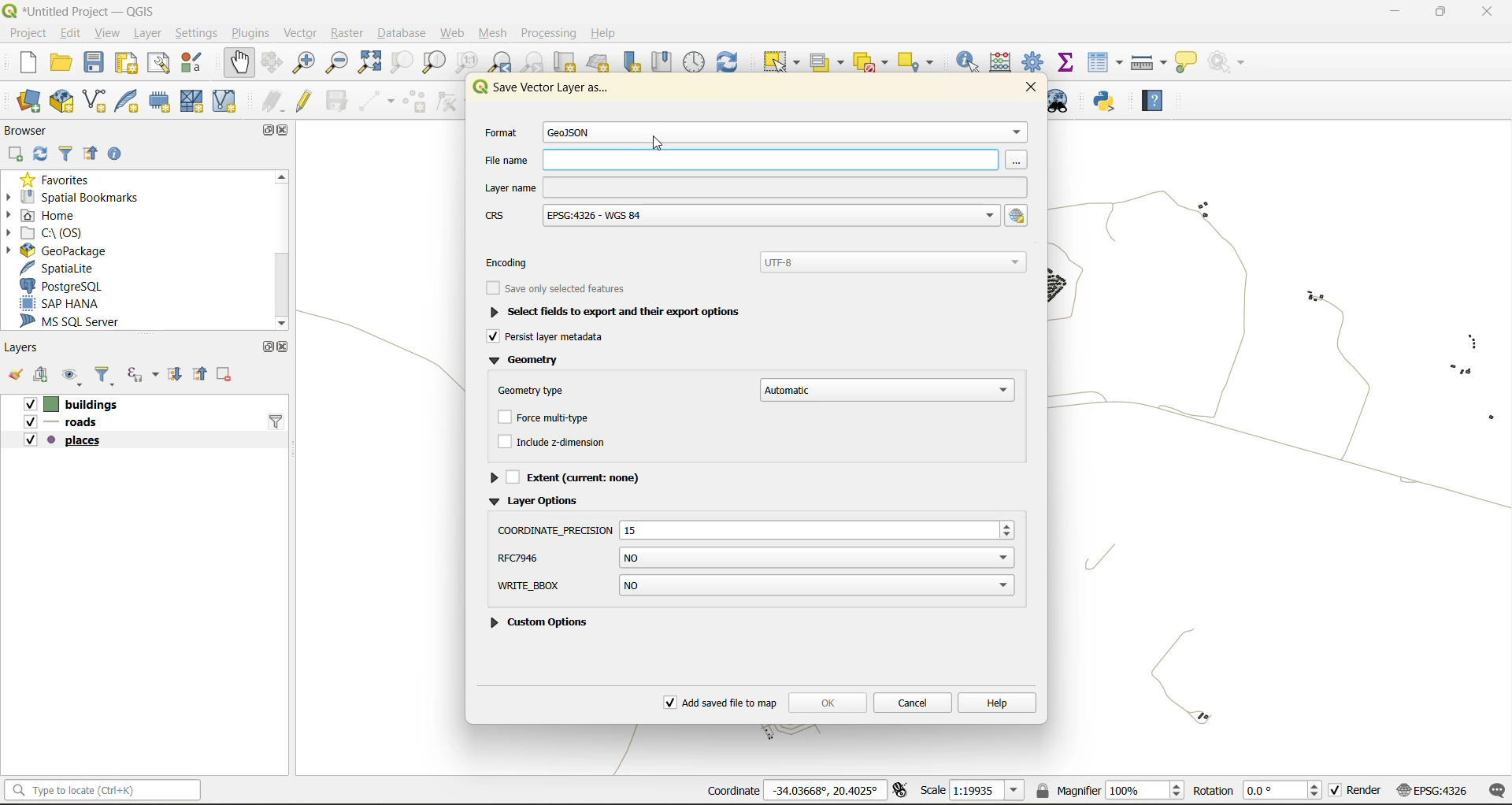 Image resolution: width=1512 pixels, height=805 pixels. I want to click on zoom selection, so click(400, 63).